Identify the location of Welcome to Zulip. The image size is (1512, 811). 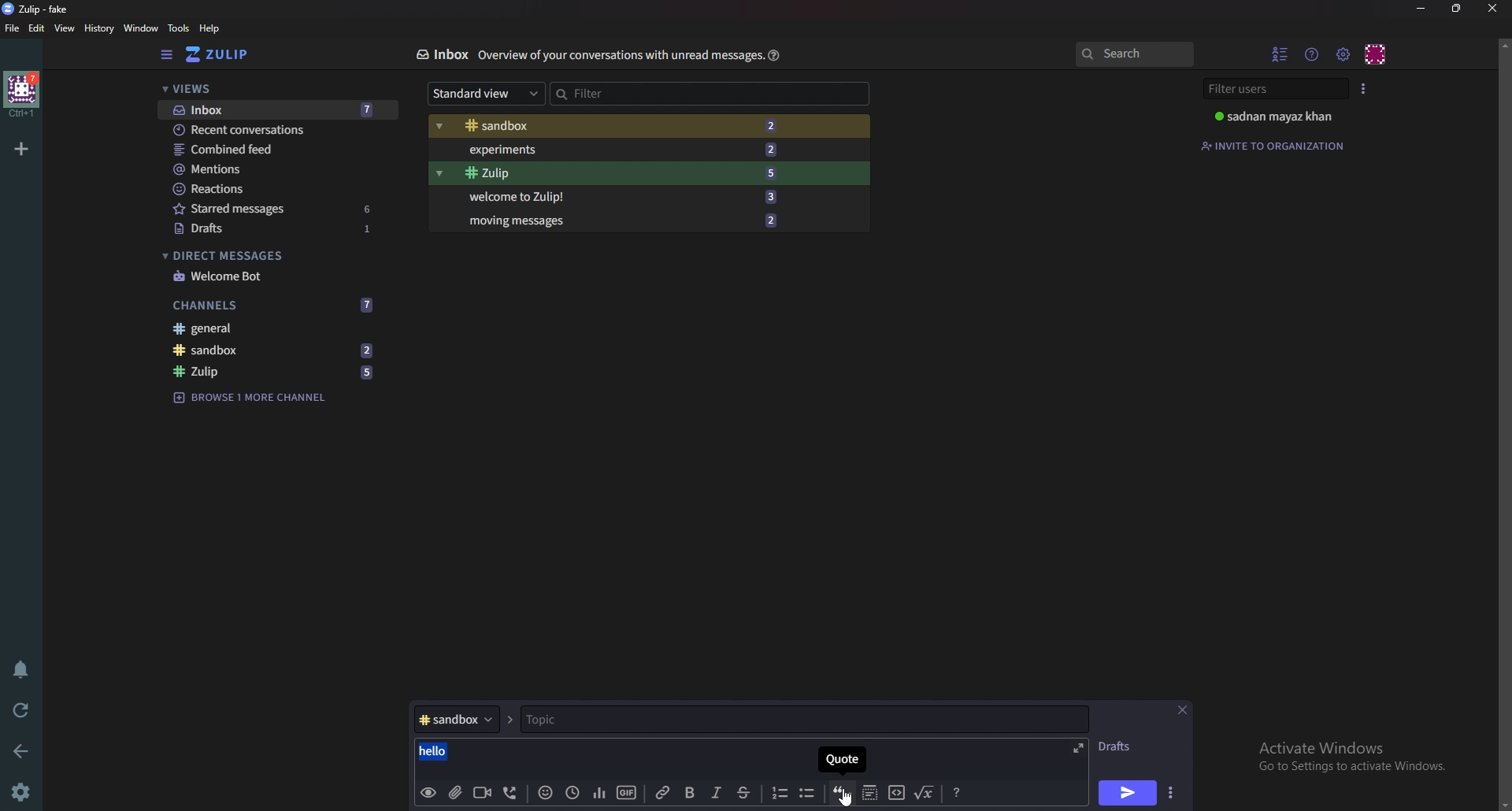
(533, 197).